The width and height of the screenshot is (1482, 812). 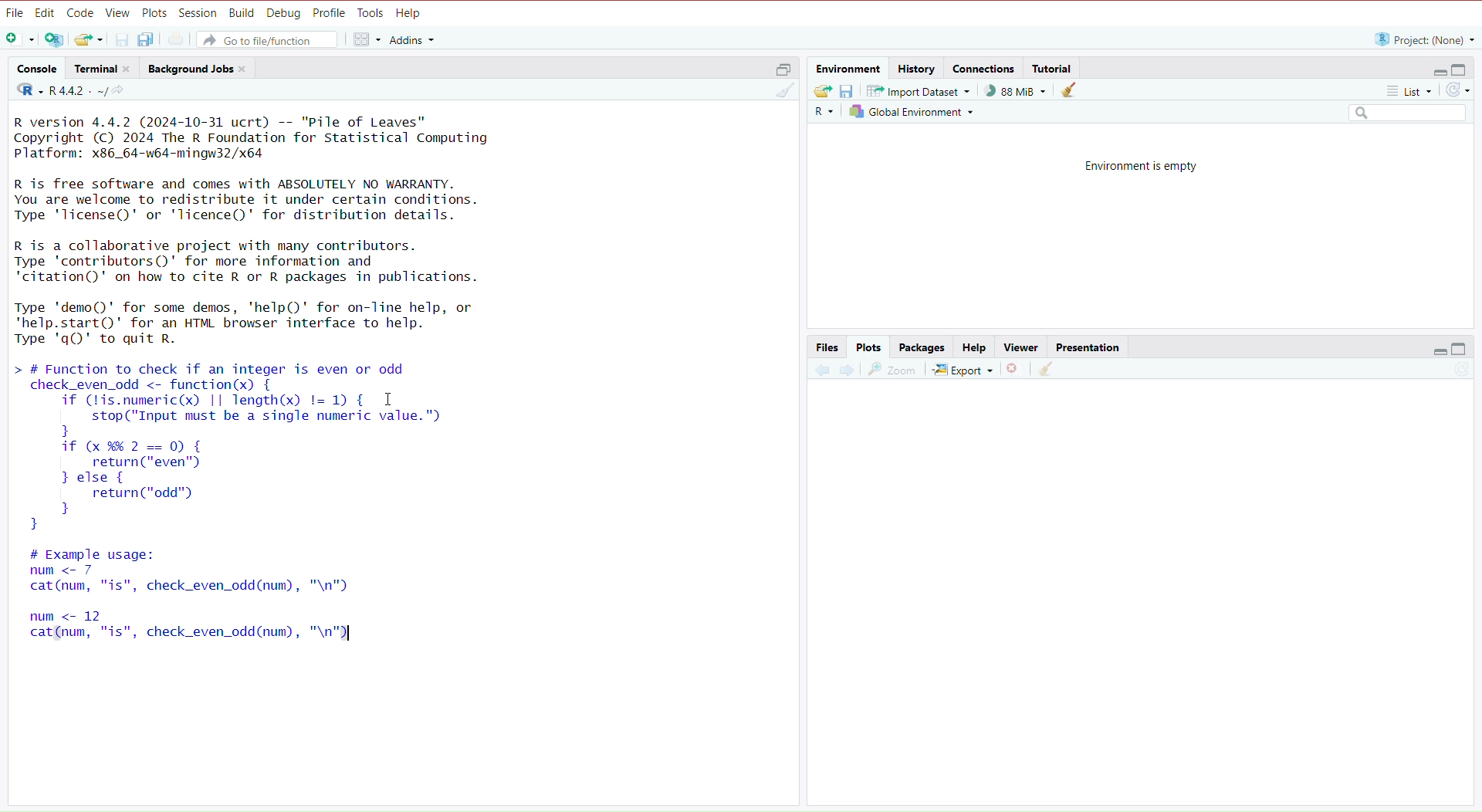 What do you see at coordinates (271, 39) in the screenshot?
I see `go to file/function` at bounding box center [271, 39].